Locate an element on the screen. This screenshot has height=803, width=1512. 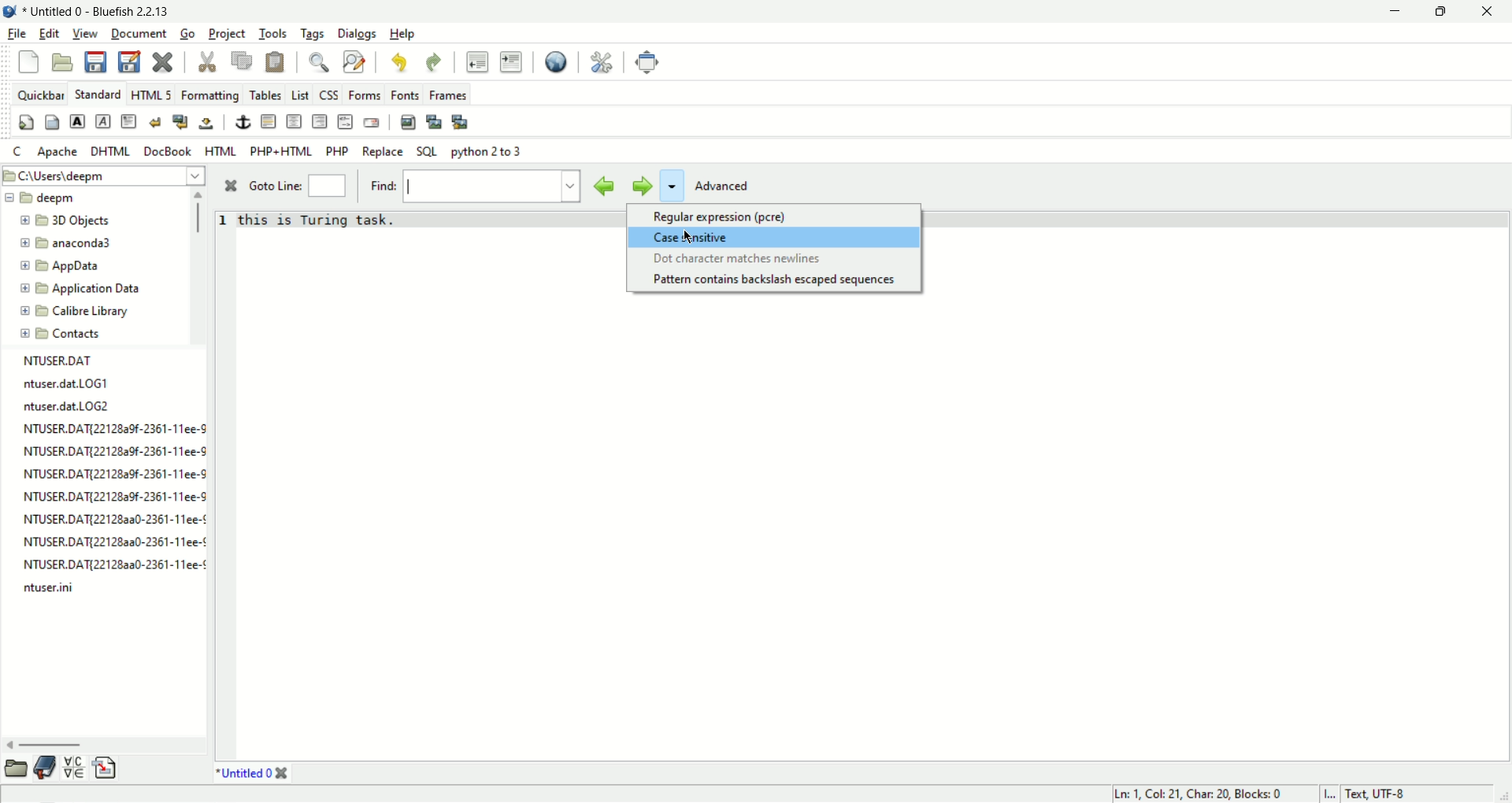
NTUSER.DAT{22128a9f-2361-11ee-S is located at coordinates (106, 431).